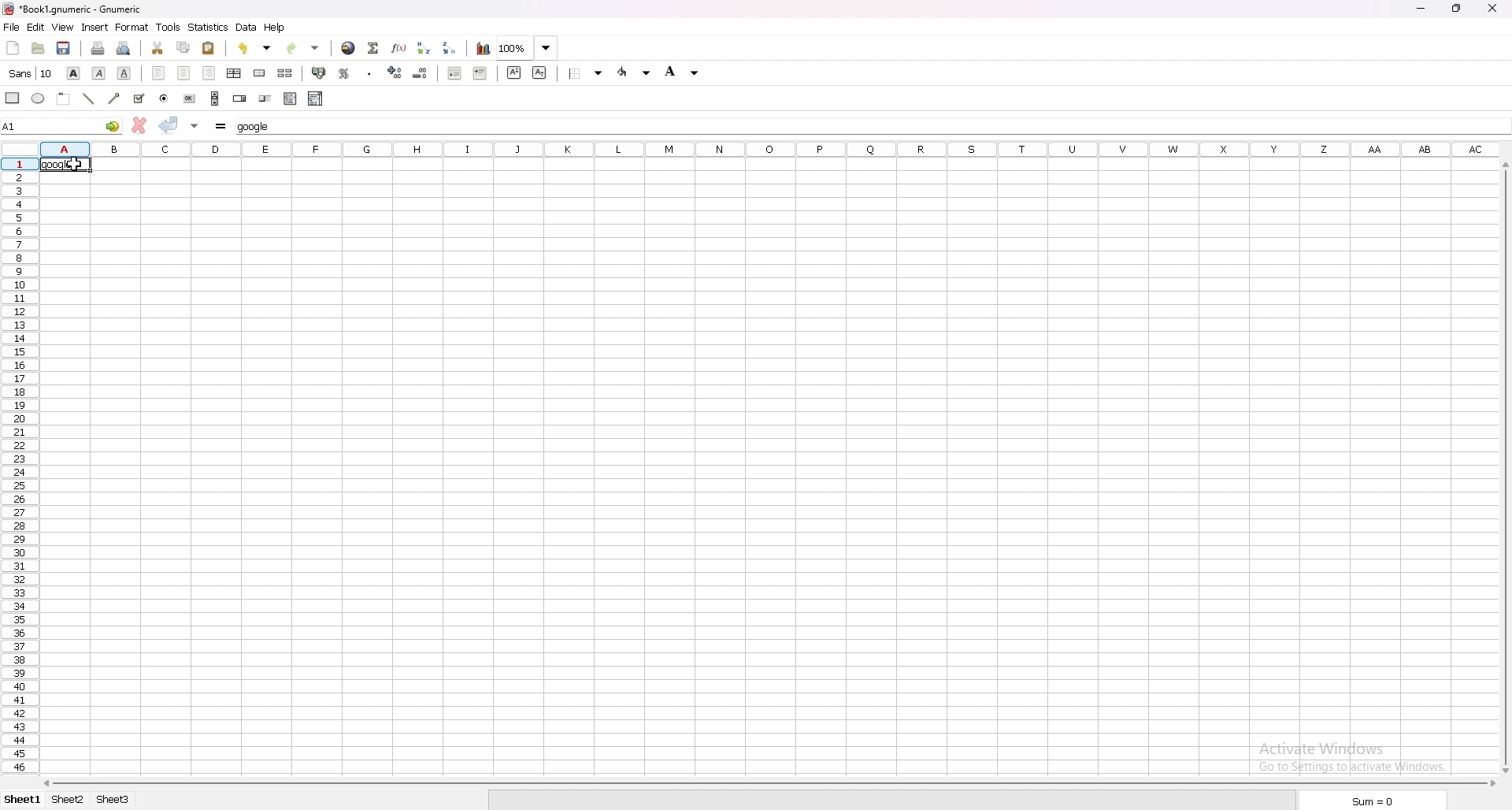 This screenshot has height=810, width=1512. I want to click on cursor, so click(1503, 442).